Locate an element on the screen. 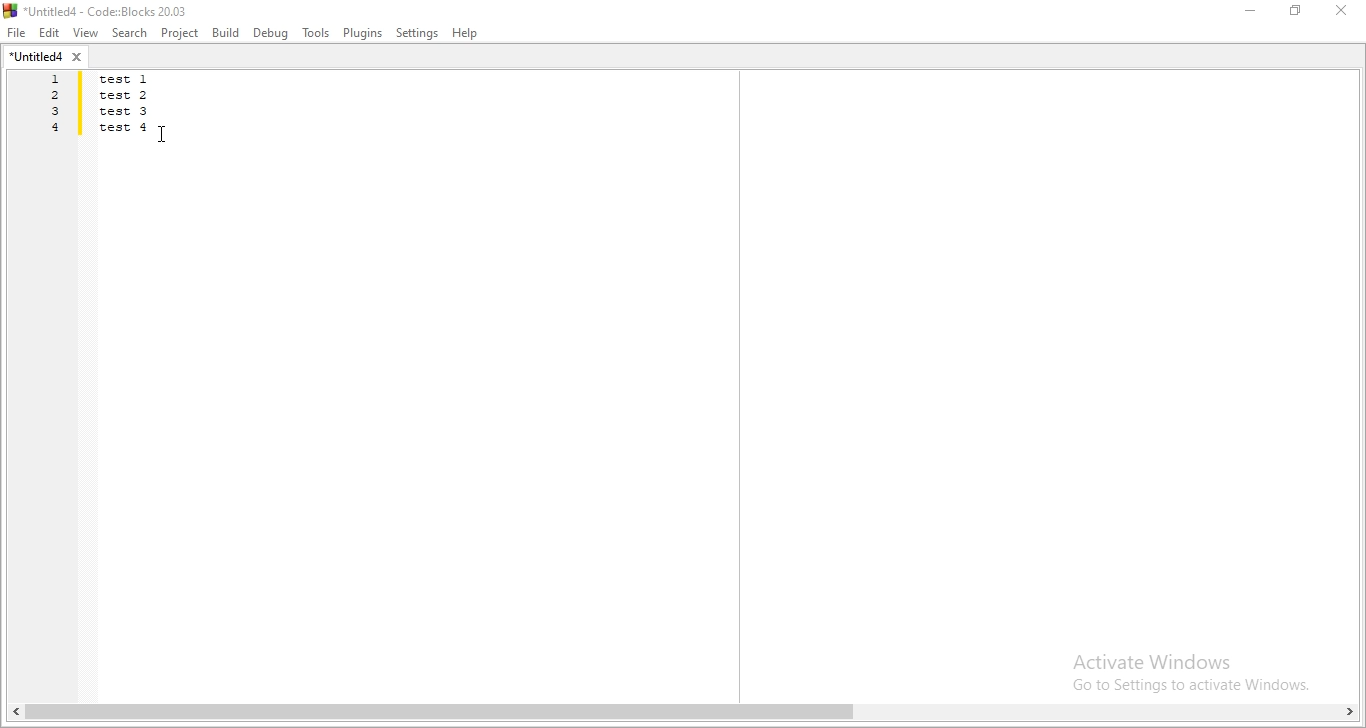 Image resolution: width=1366 pixels, height=728 pixels. Help is located at coordinates (469, 34).